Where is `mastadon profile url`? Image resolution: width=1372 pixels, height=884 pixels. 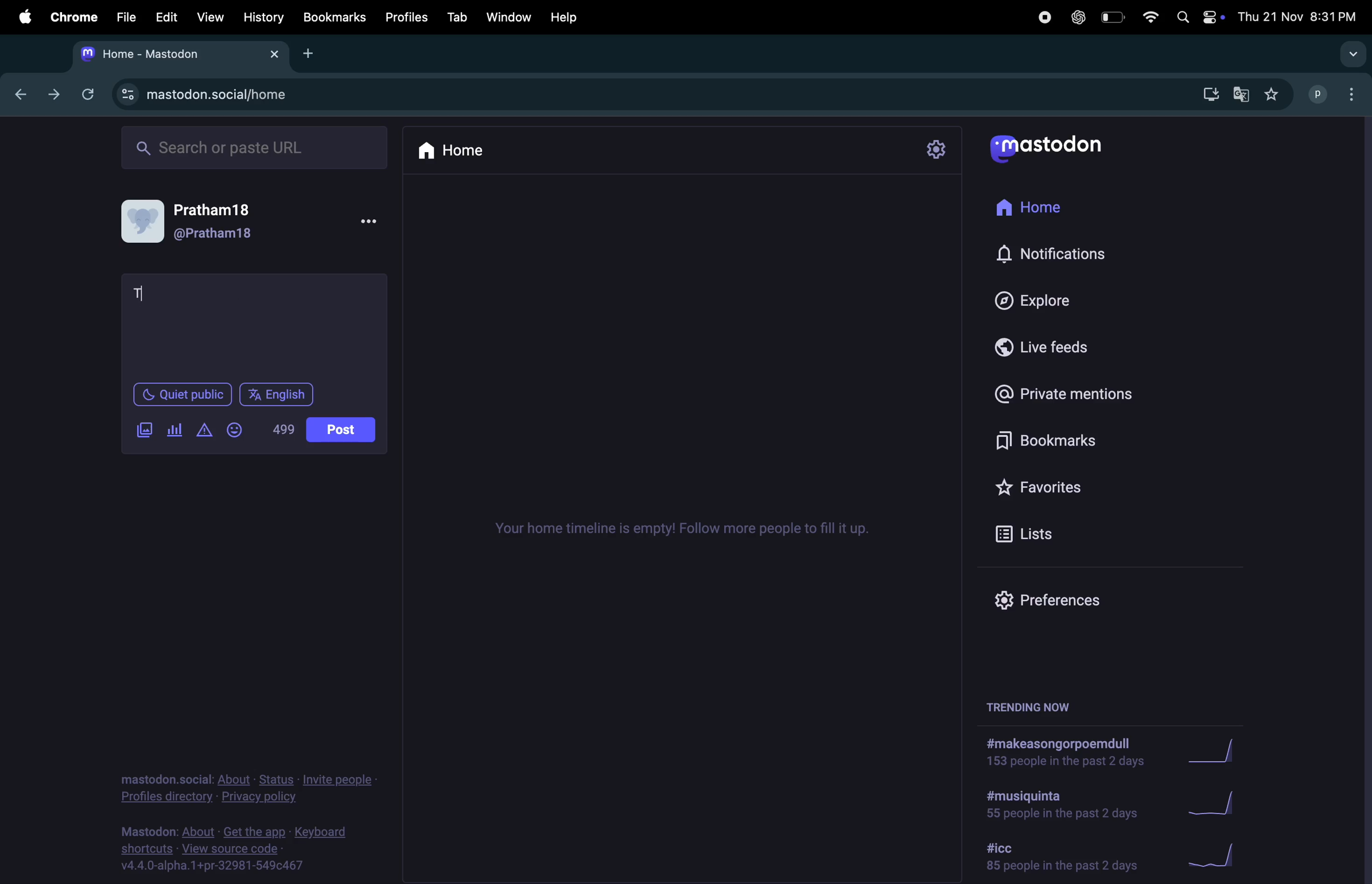 mastadon profile url is located at coordinates (213, 95).